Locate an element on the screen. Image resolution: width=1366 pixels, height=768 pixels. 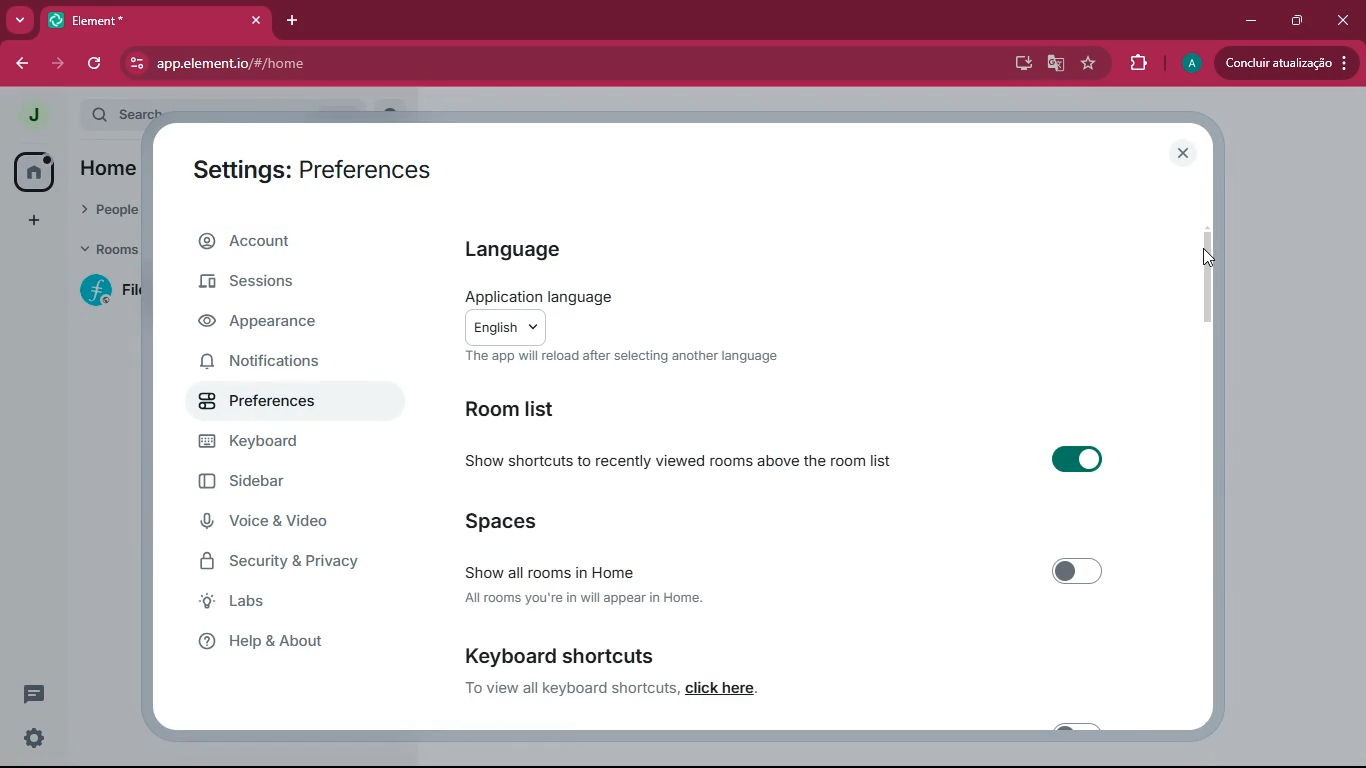
to view all keyboard shortcuts is located at coordinates (571, 690).